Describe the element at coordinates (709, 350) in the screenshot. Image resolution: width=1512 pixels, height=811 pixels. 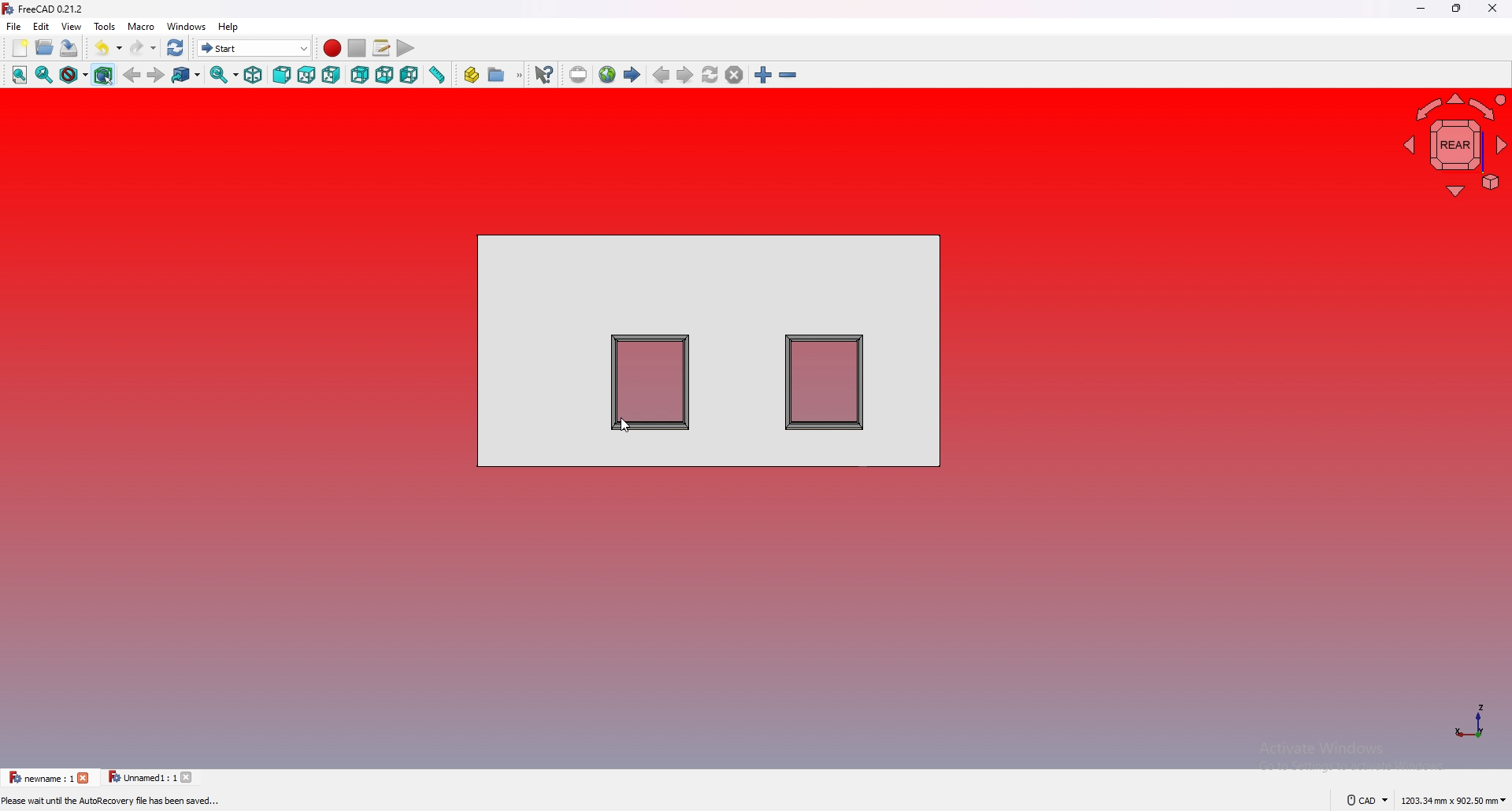
I see `shapes` at that location.